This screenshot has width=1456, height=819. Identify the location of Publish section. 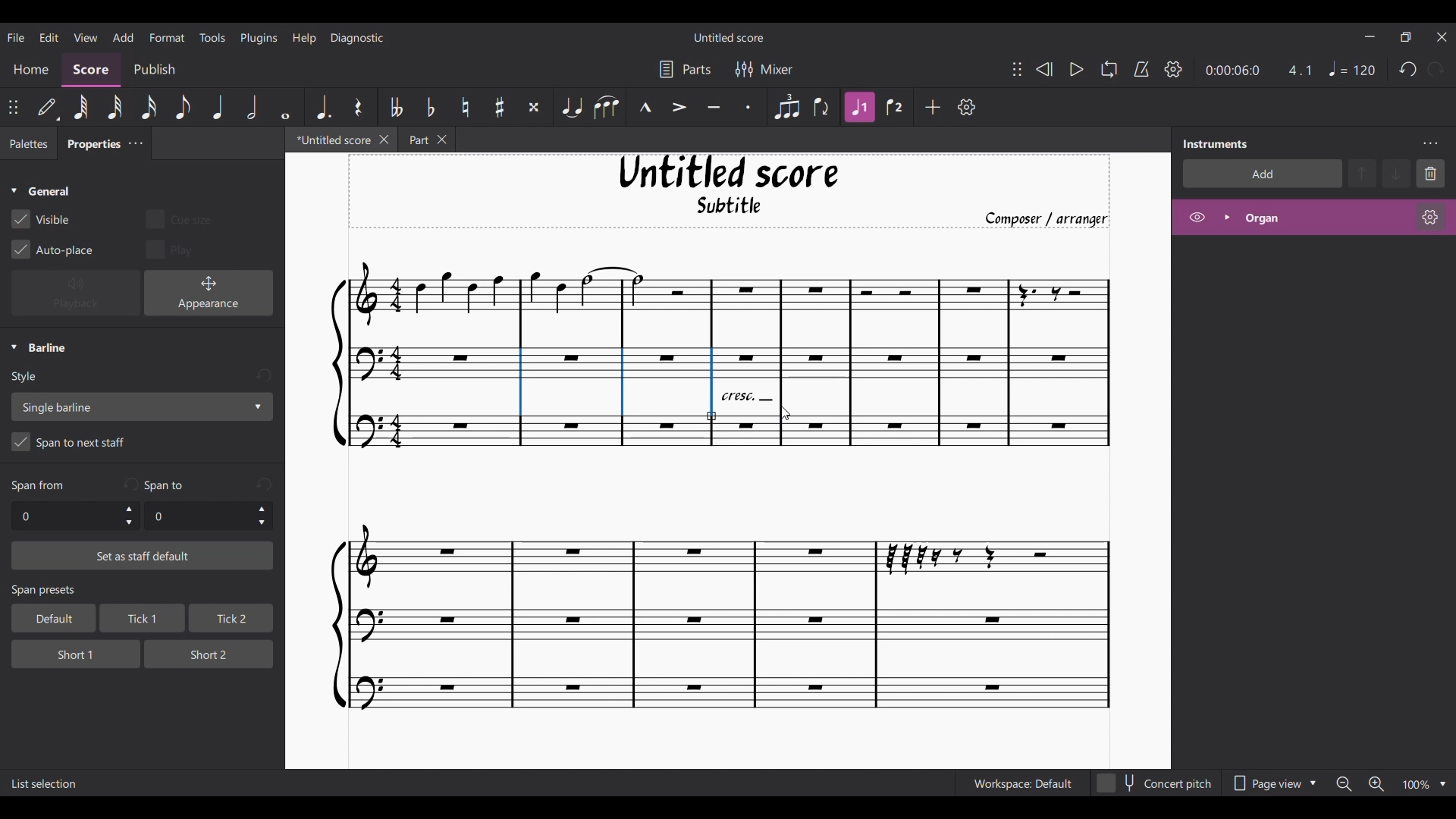
(154, 70).